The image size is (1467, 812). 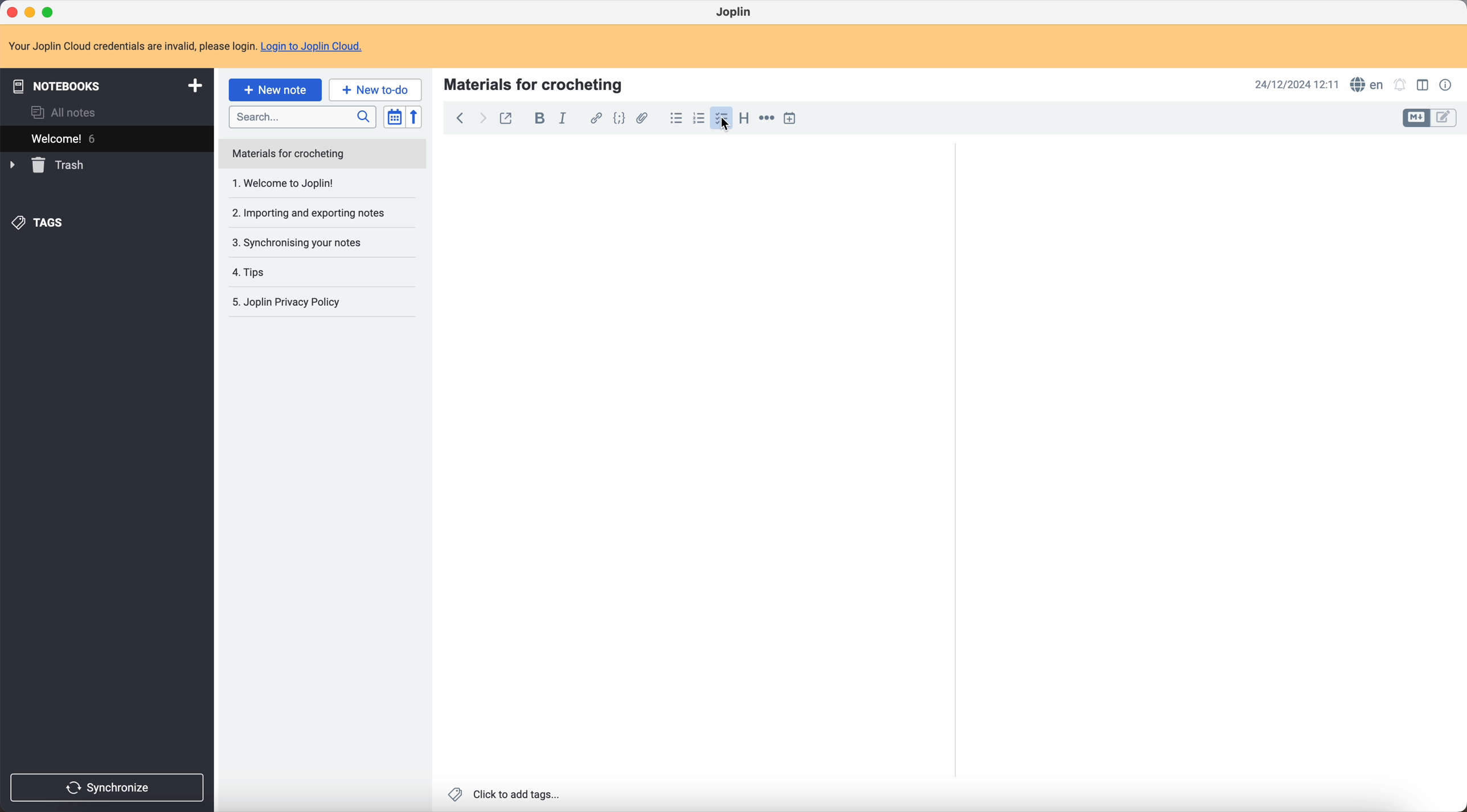 I want to click on set notificatins, so click(x=1400, y=86).